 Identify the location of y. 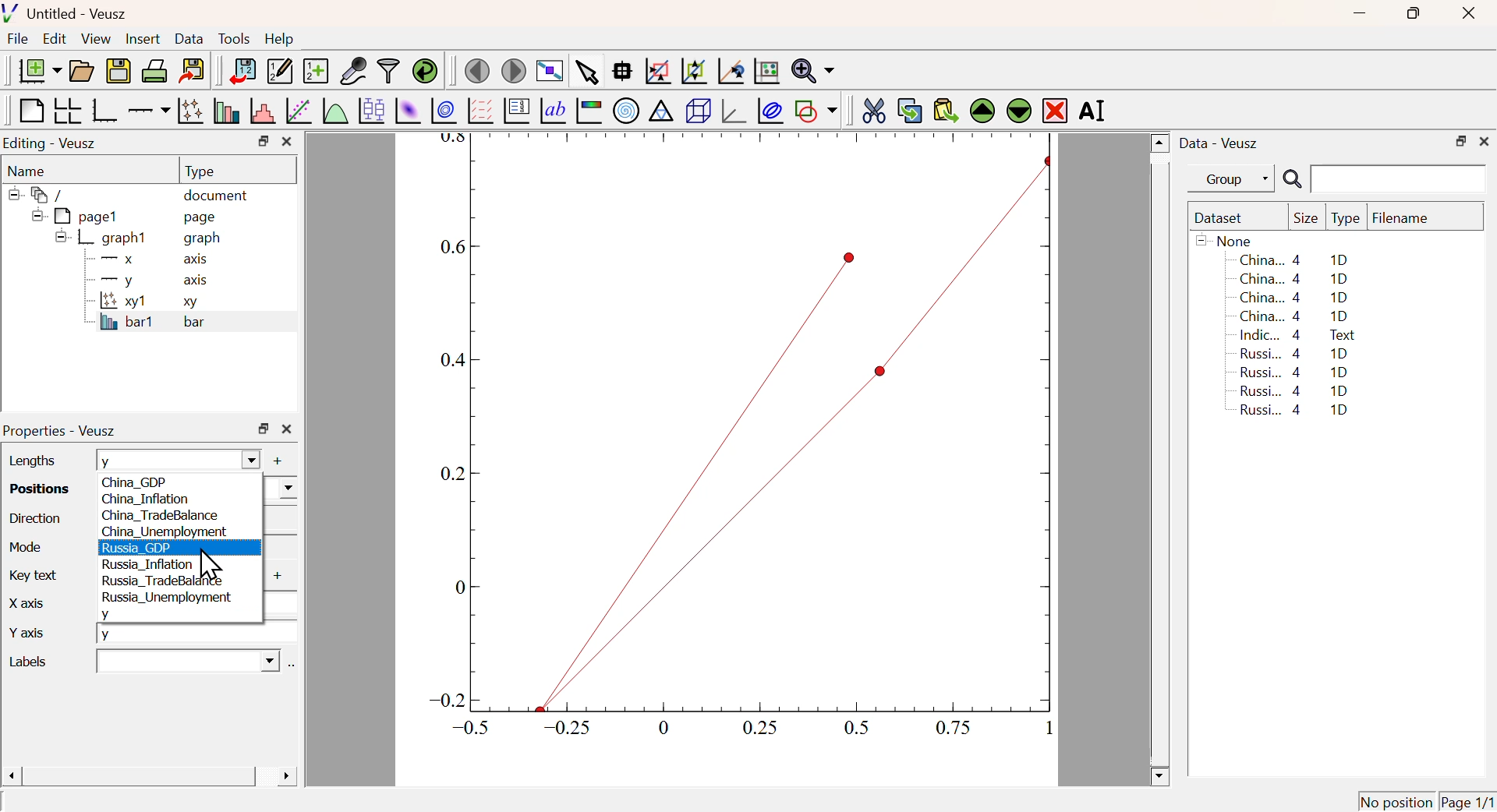
(175, 461).